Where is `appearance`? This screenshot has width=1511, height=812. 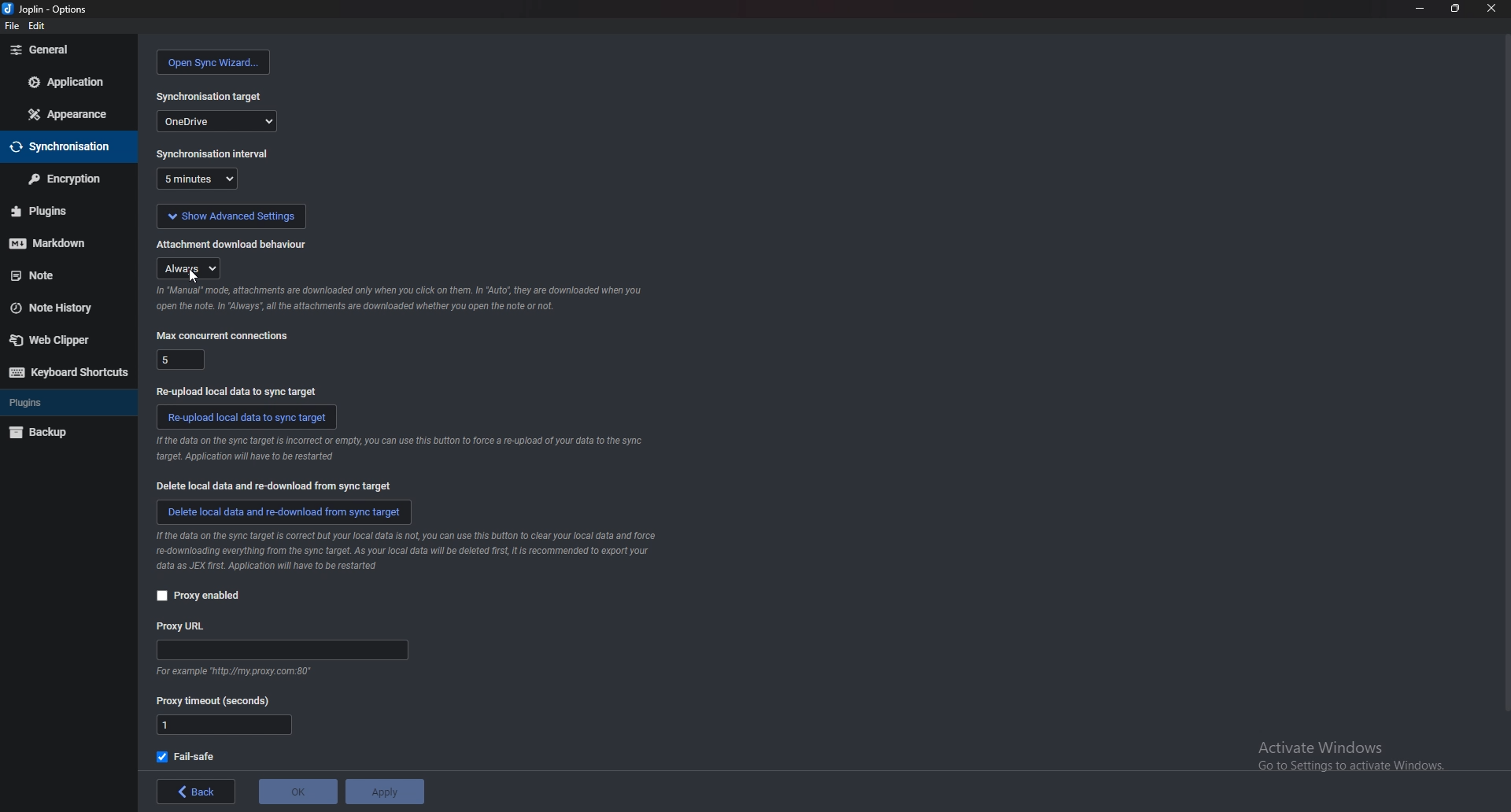
appearance is located at coordinates (66, 115).